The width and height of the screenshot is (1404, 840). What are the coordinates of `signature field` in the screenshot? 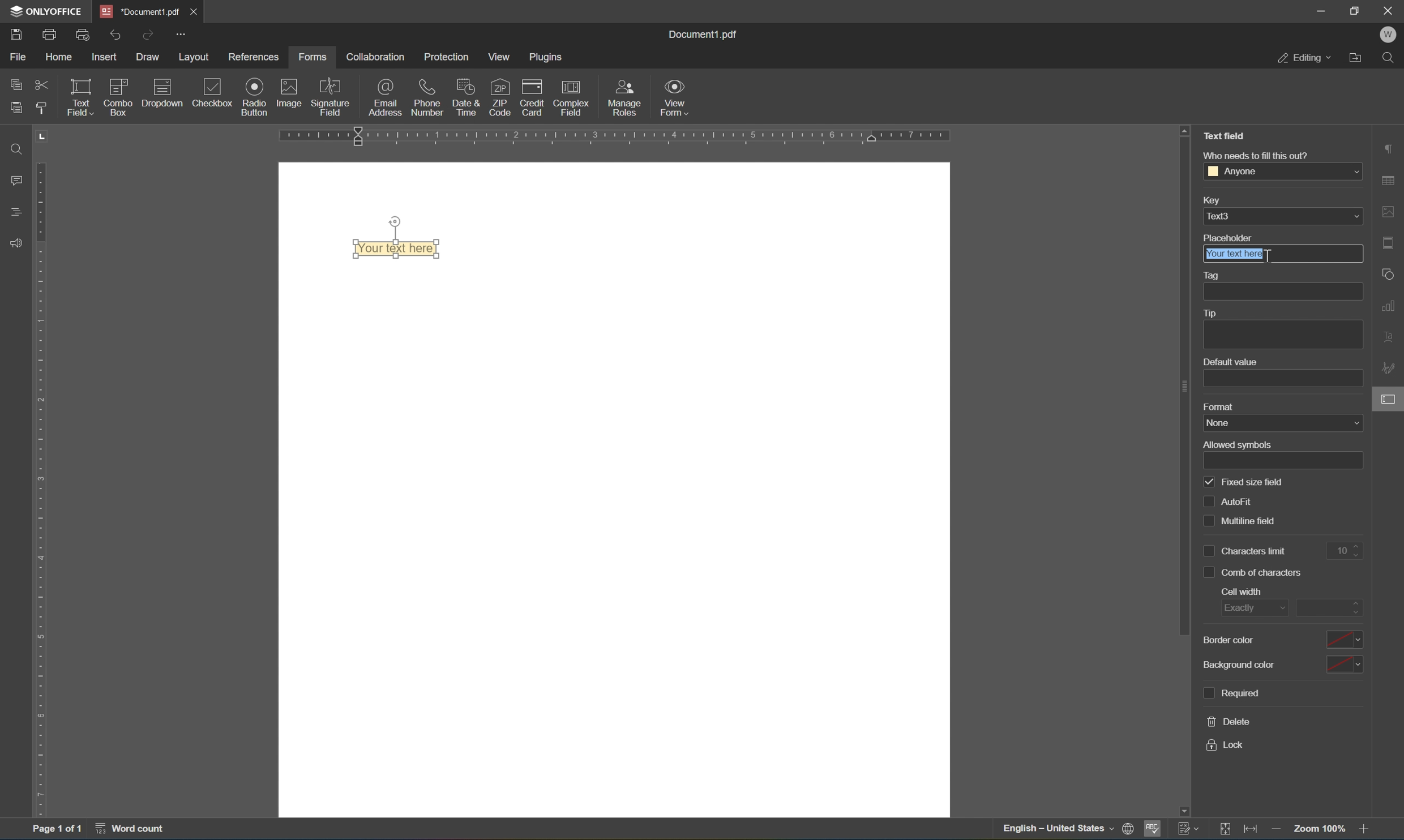 It's located at (335, 94).